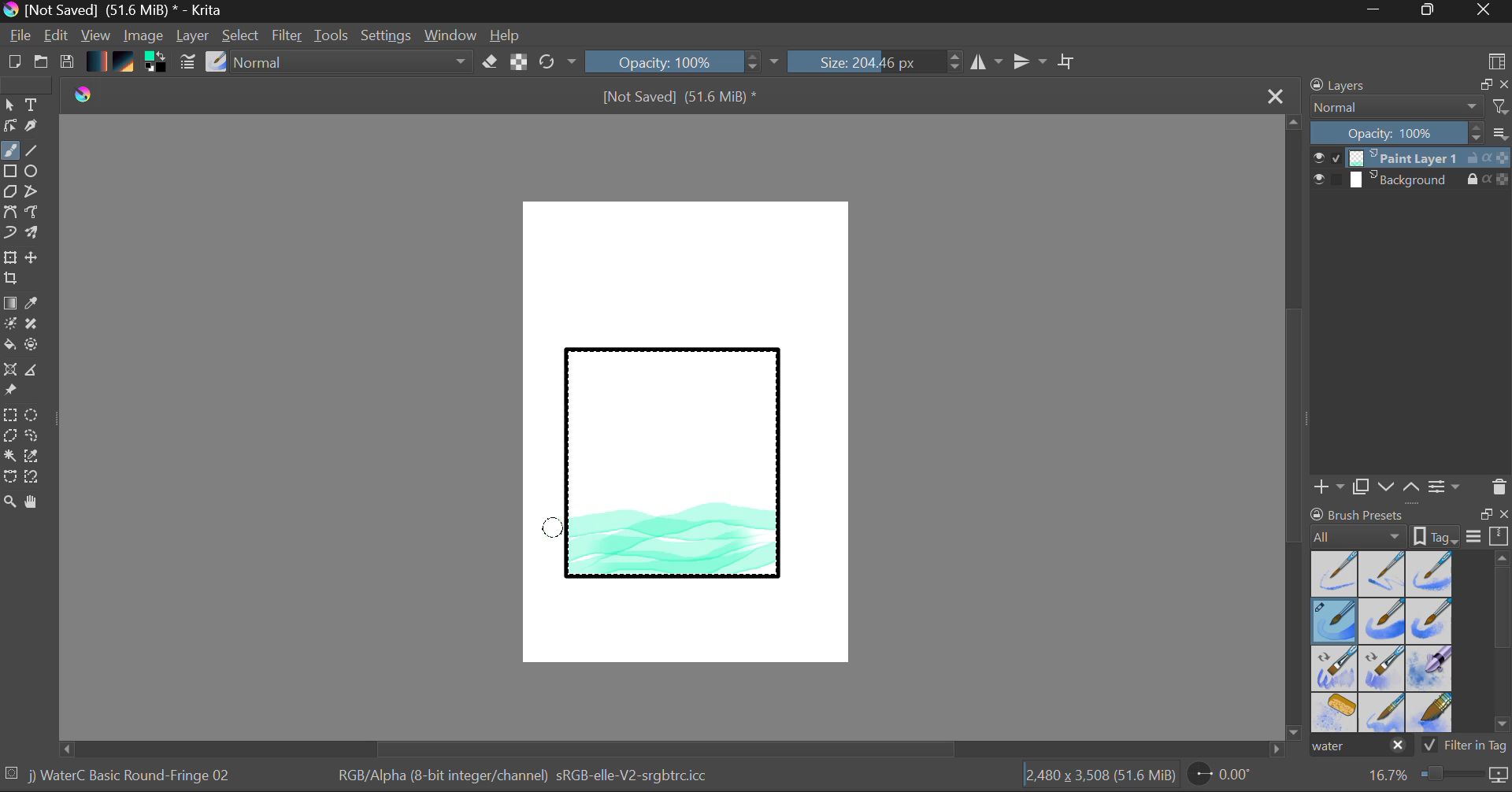 This screenshot has height=792, width=1512. What do you see at coordinates (1430, 621) in the screenshot?
I see `Water C - Grunge` at bounding box center [1430, 621].